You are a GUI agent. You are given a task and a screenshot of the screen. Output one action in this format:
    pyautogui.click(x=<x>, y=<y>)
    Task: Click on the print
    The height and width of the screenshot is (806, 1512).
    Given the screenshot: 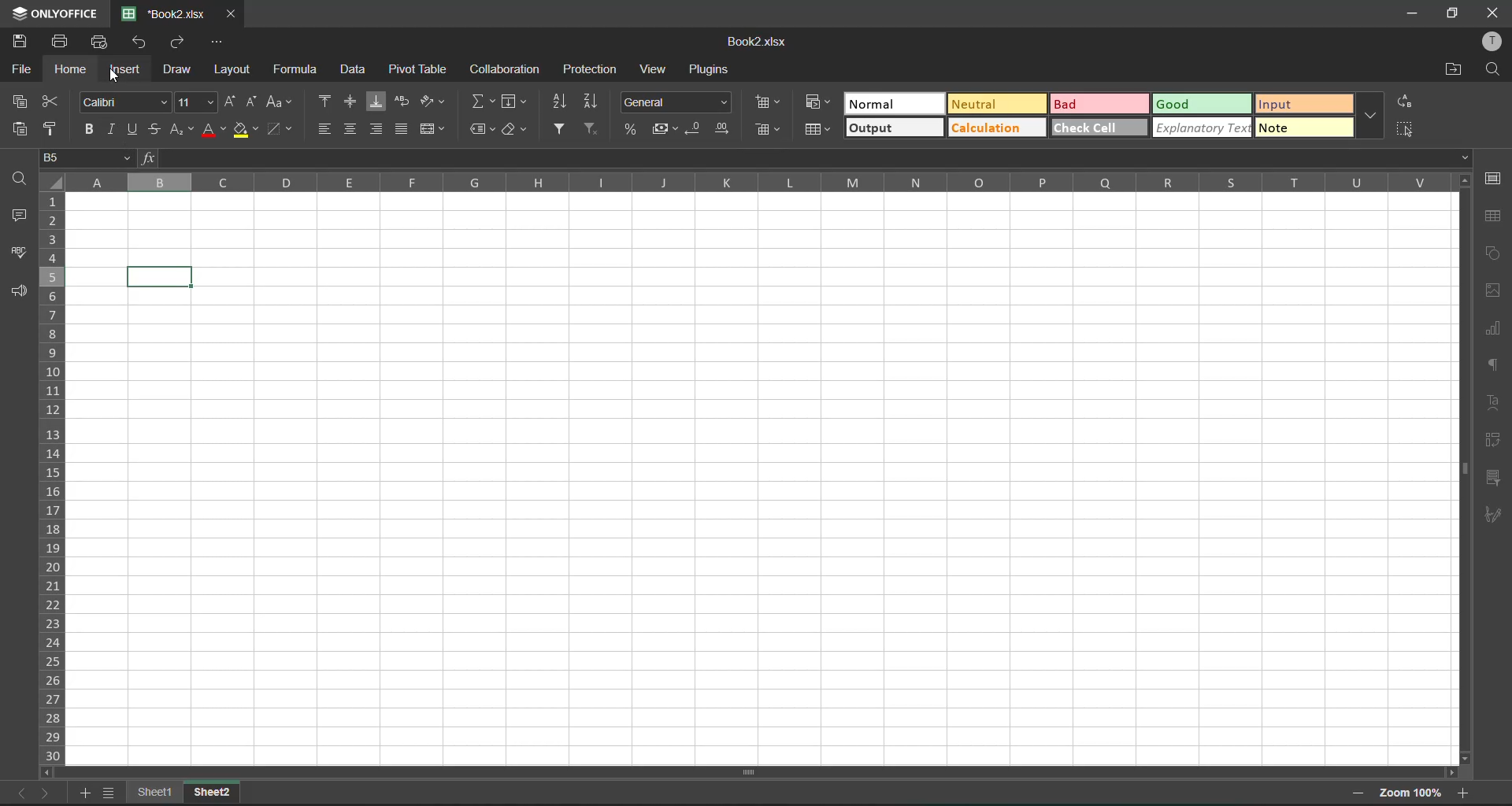 What is the action you would take?
    pyautogui.click(x=65, y=42)
    